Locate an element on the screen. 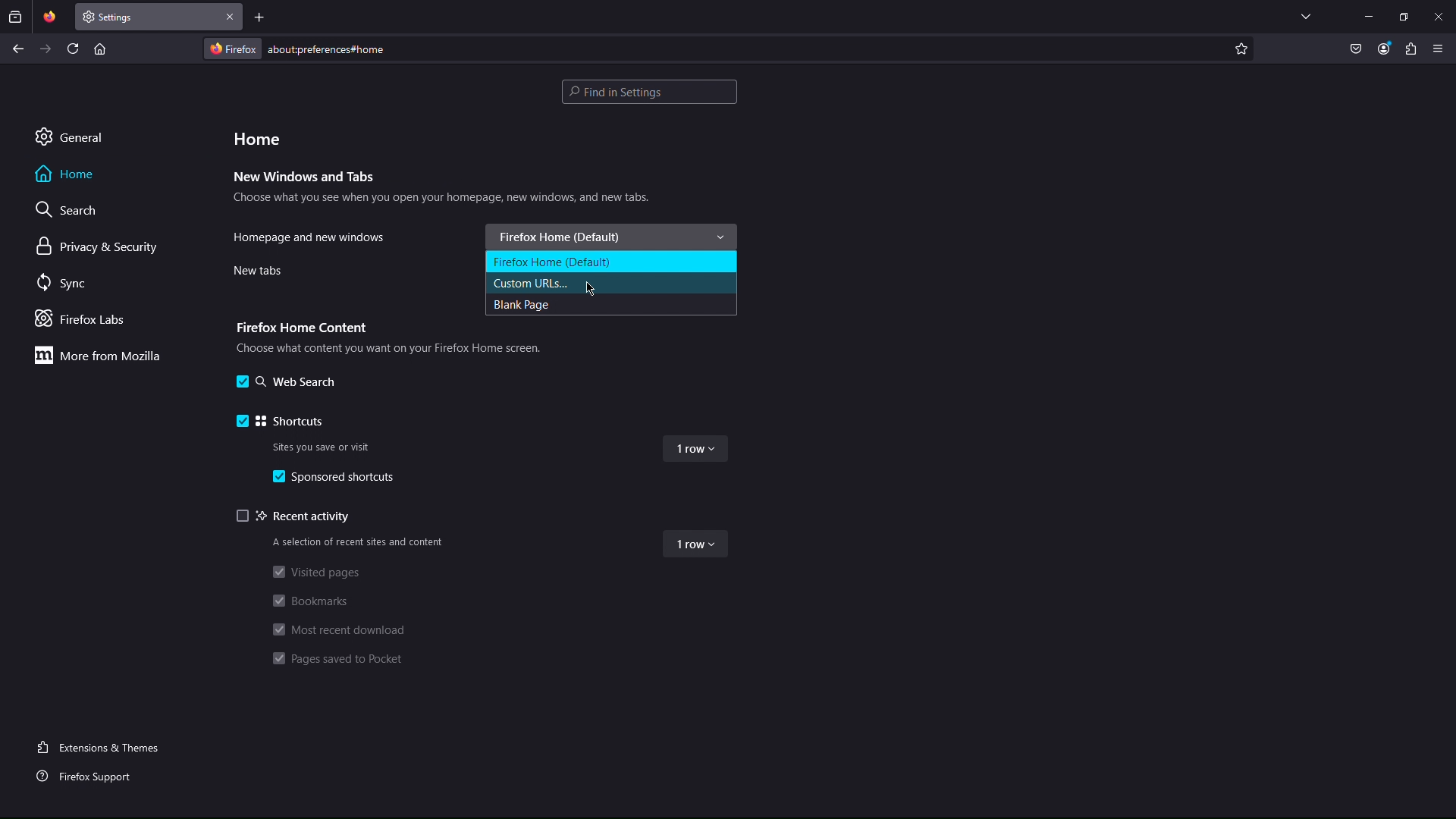 This screenshot has width=1456, height=819. Application Menu is located at coordinates (1439, 50).